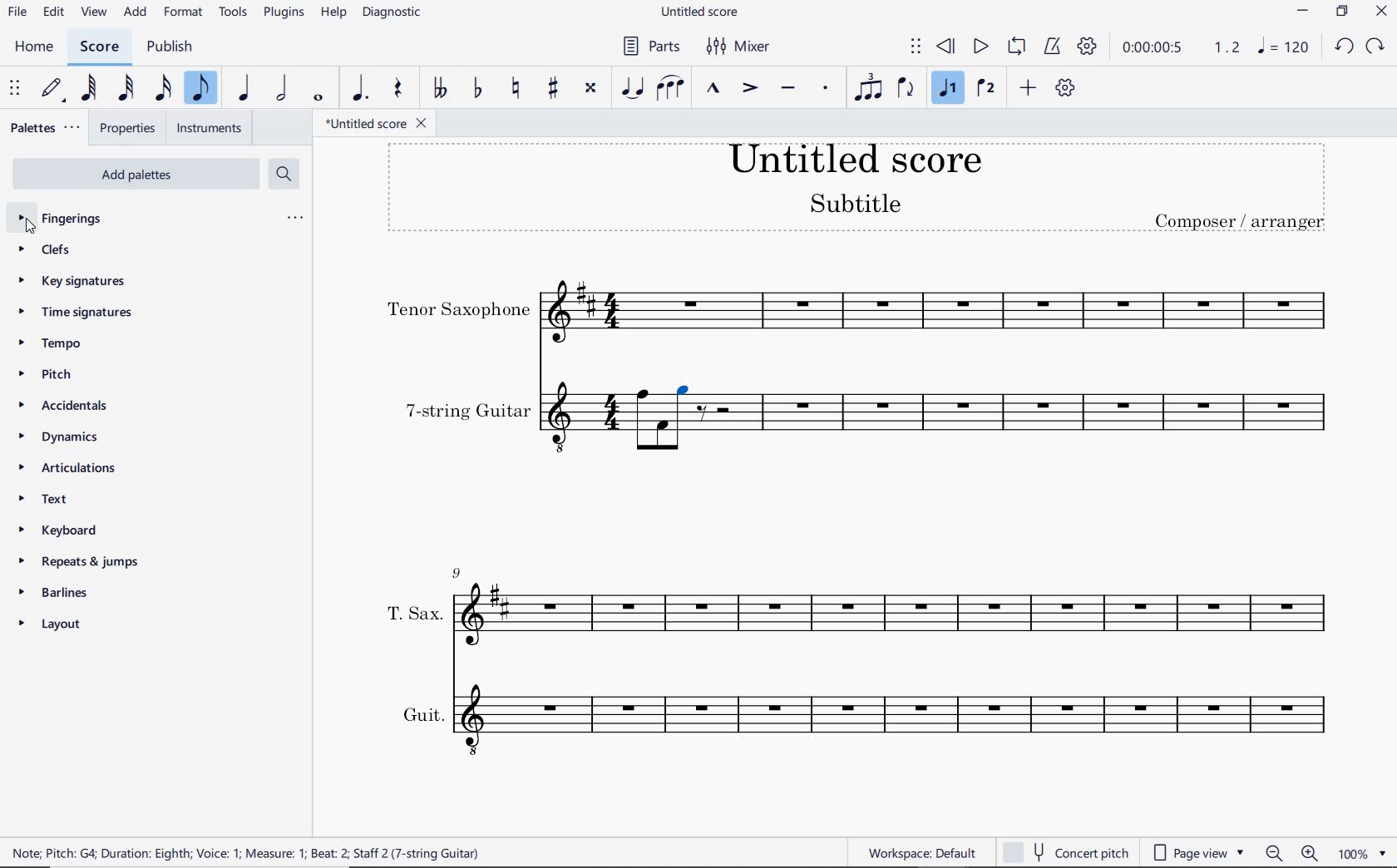 The height and width of the screenshot is (868, 1397). Describe the element at coordinates (16, 89) in the screenshot. I see `SELECET TO MOVE` at that location.